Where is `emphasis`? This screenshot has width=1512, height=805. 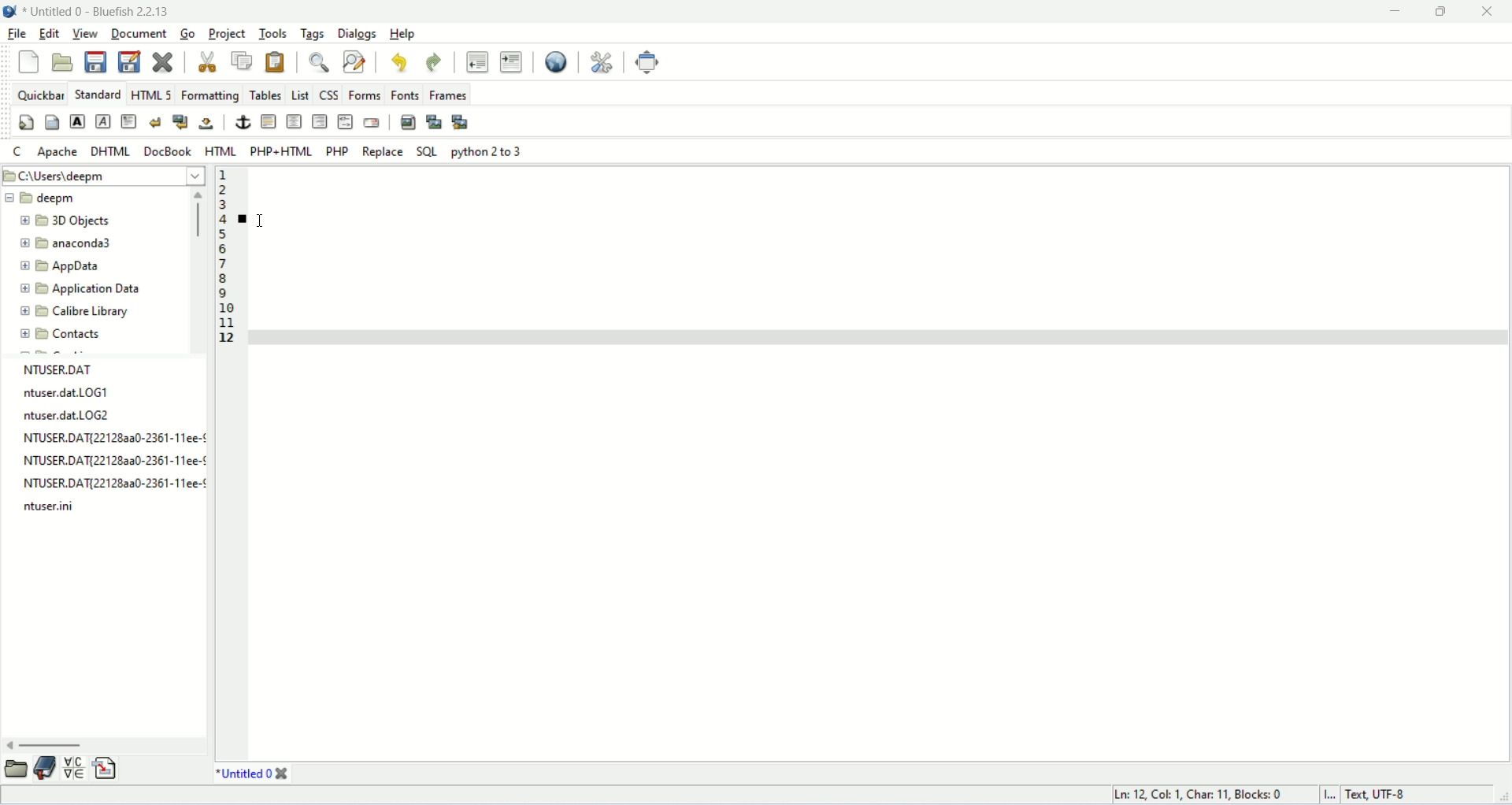 emphasis is located at coordinates (105, 122).